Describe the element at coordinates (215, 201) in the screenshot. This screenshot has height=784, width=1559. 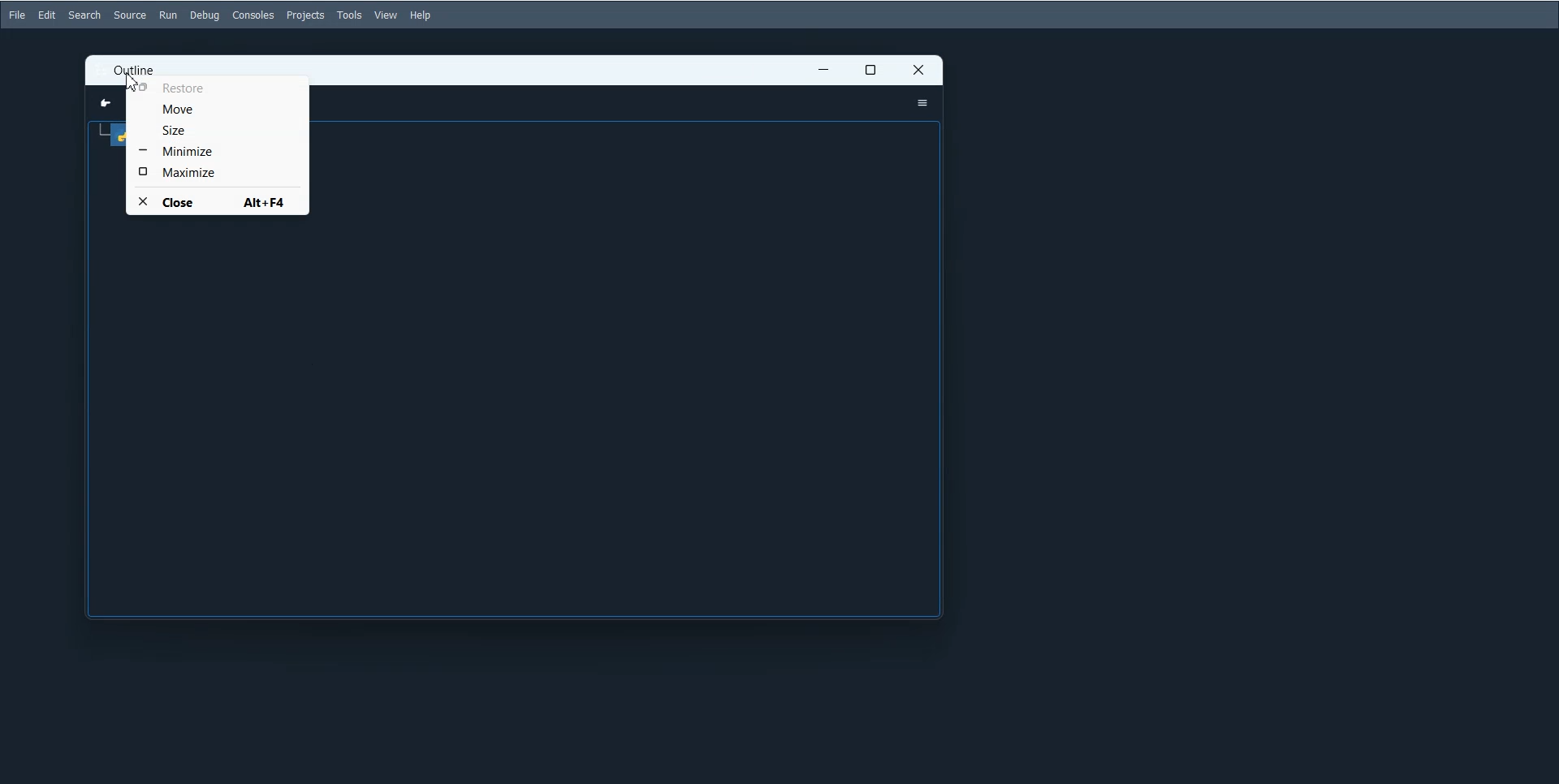
I see `Close` at that location.